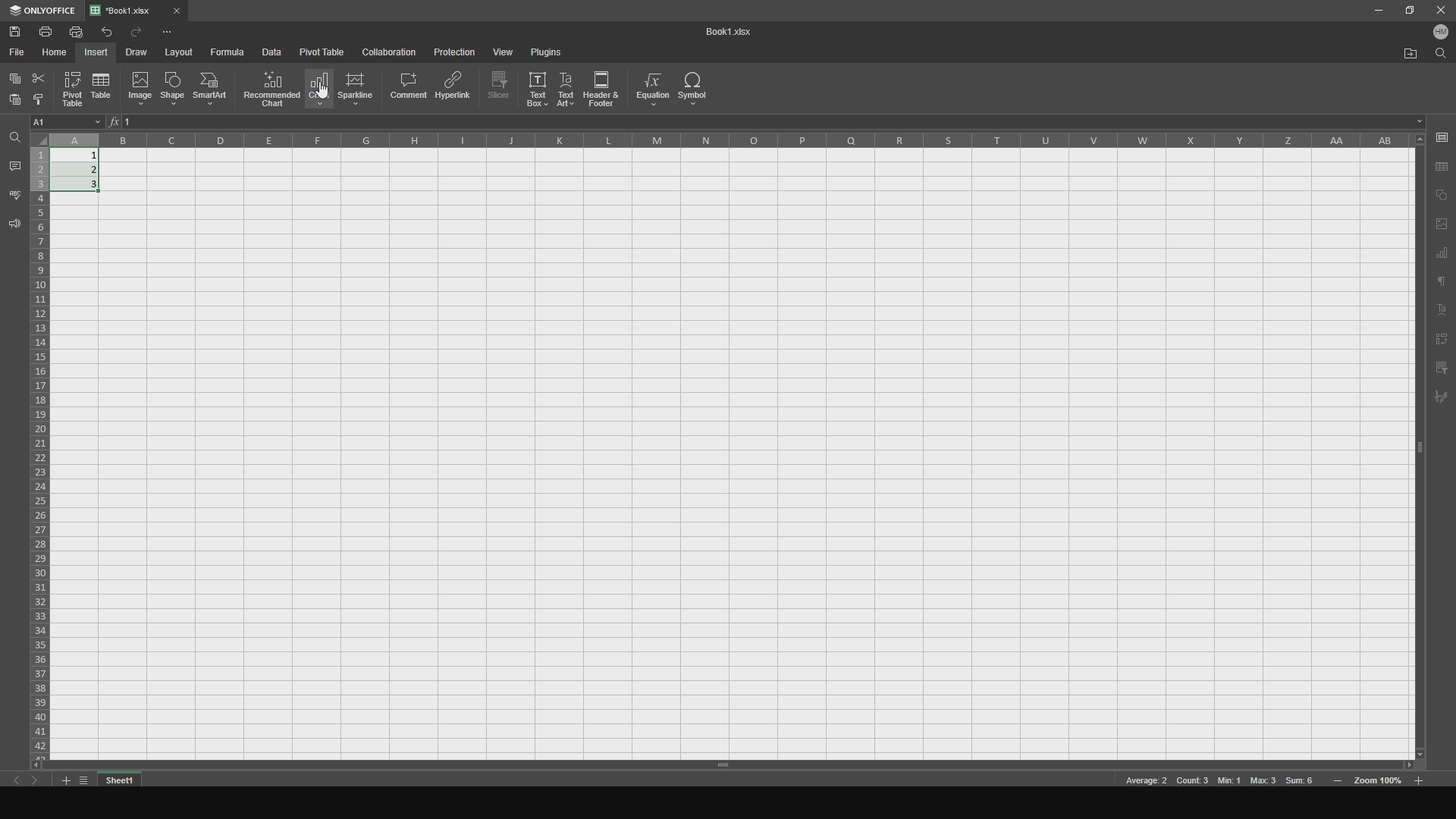 The height and width of the screenshot is (819, 1456). Describe the element at coordinates (139, 32) in the screenshot. I see `redo` at that location.